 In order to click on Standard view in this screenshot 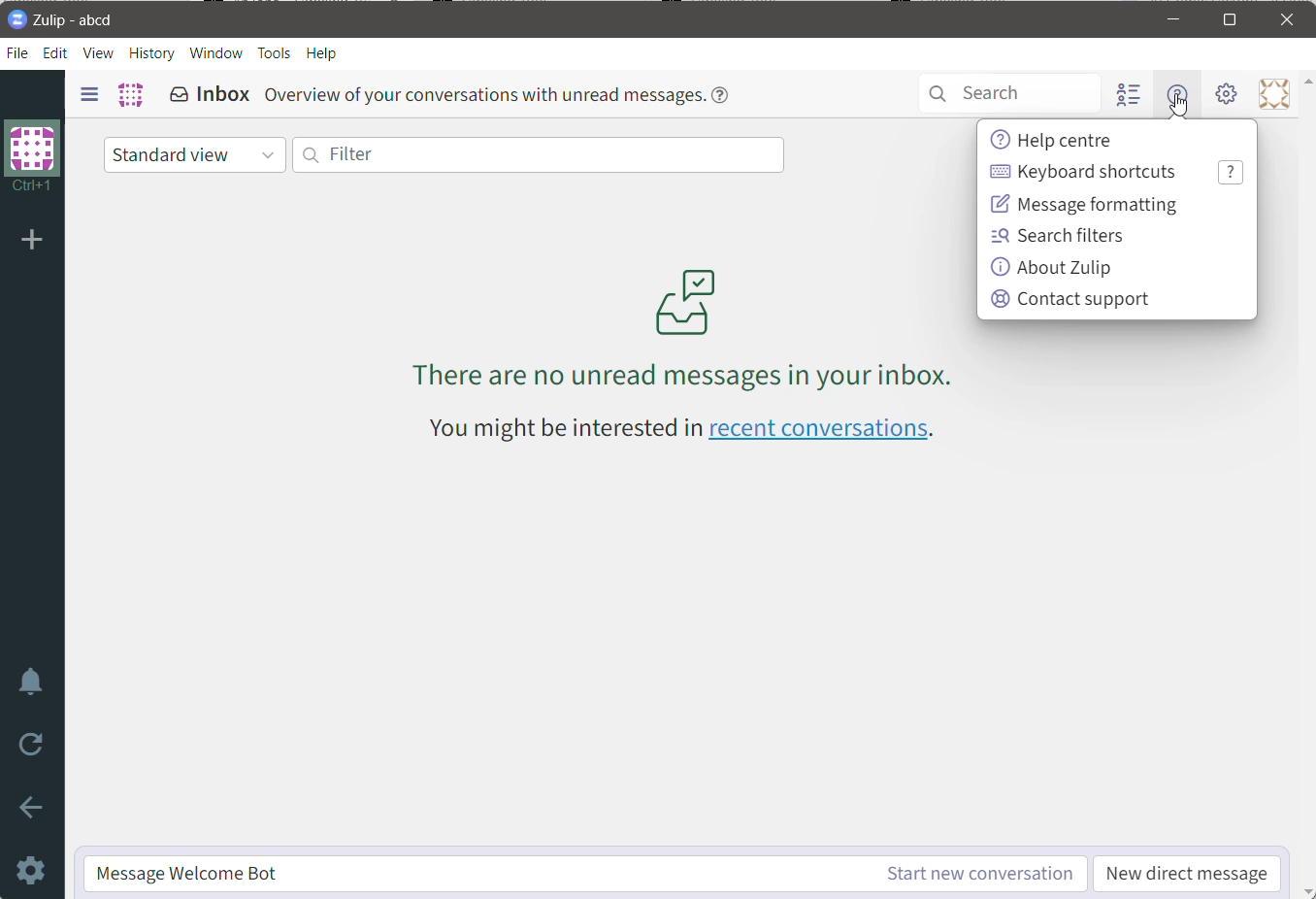, I will do `click(194, 154)`.